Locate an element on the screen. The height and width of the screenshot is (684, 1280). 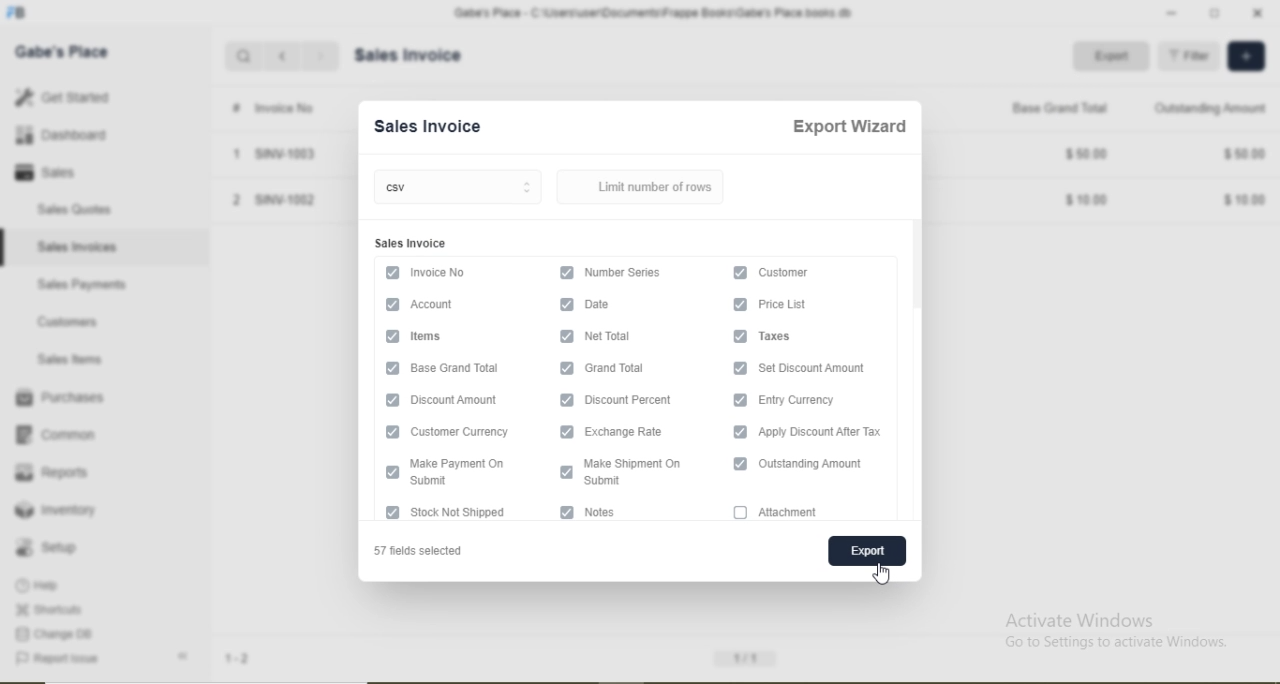
1-2 is located at coordinates (245, 660).